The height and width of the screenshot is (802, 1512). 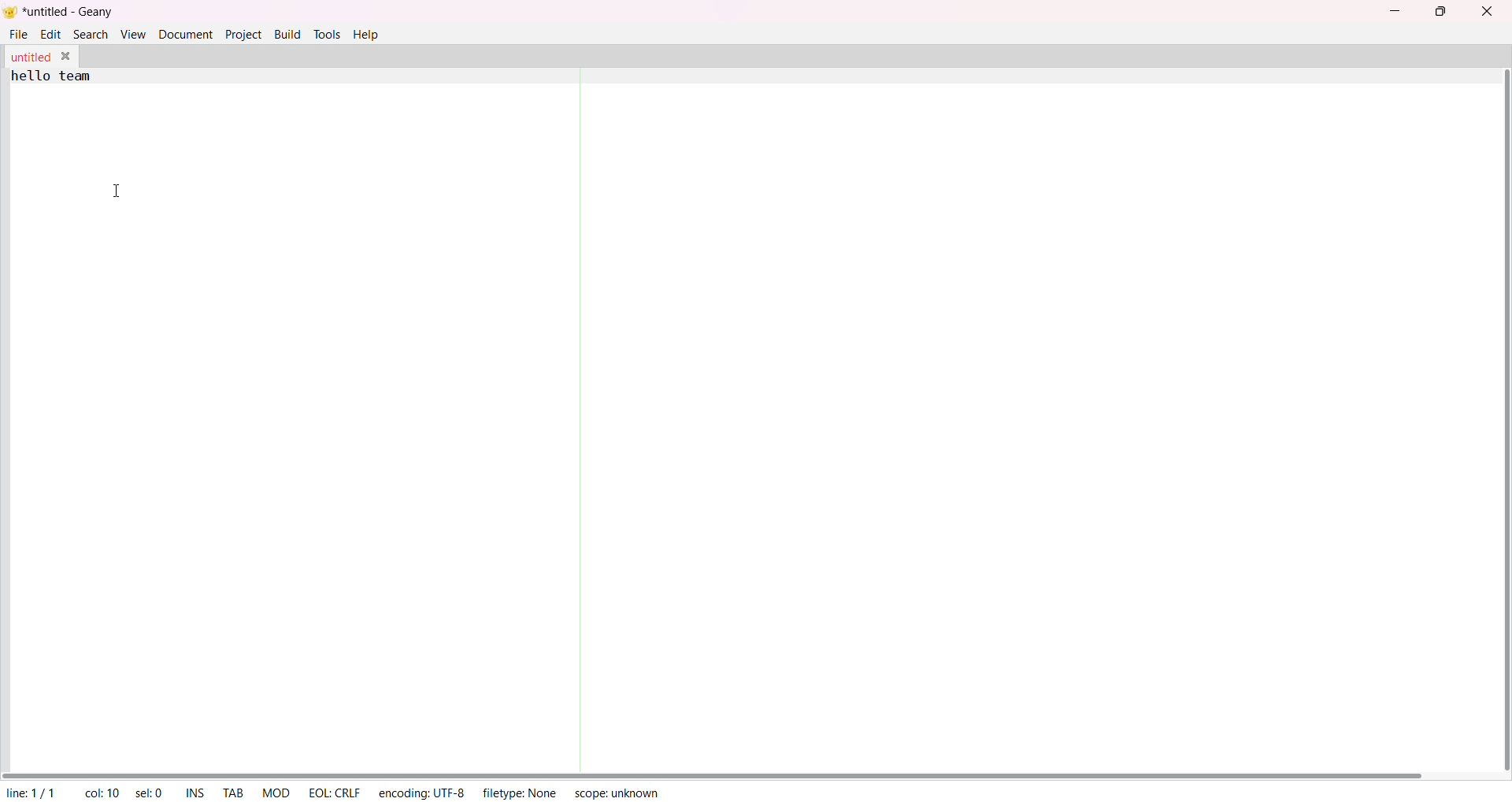 What do you see at coordinates (278, 792) in the screenshot?
I see `MOD` at bounding box center [278, 792].